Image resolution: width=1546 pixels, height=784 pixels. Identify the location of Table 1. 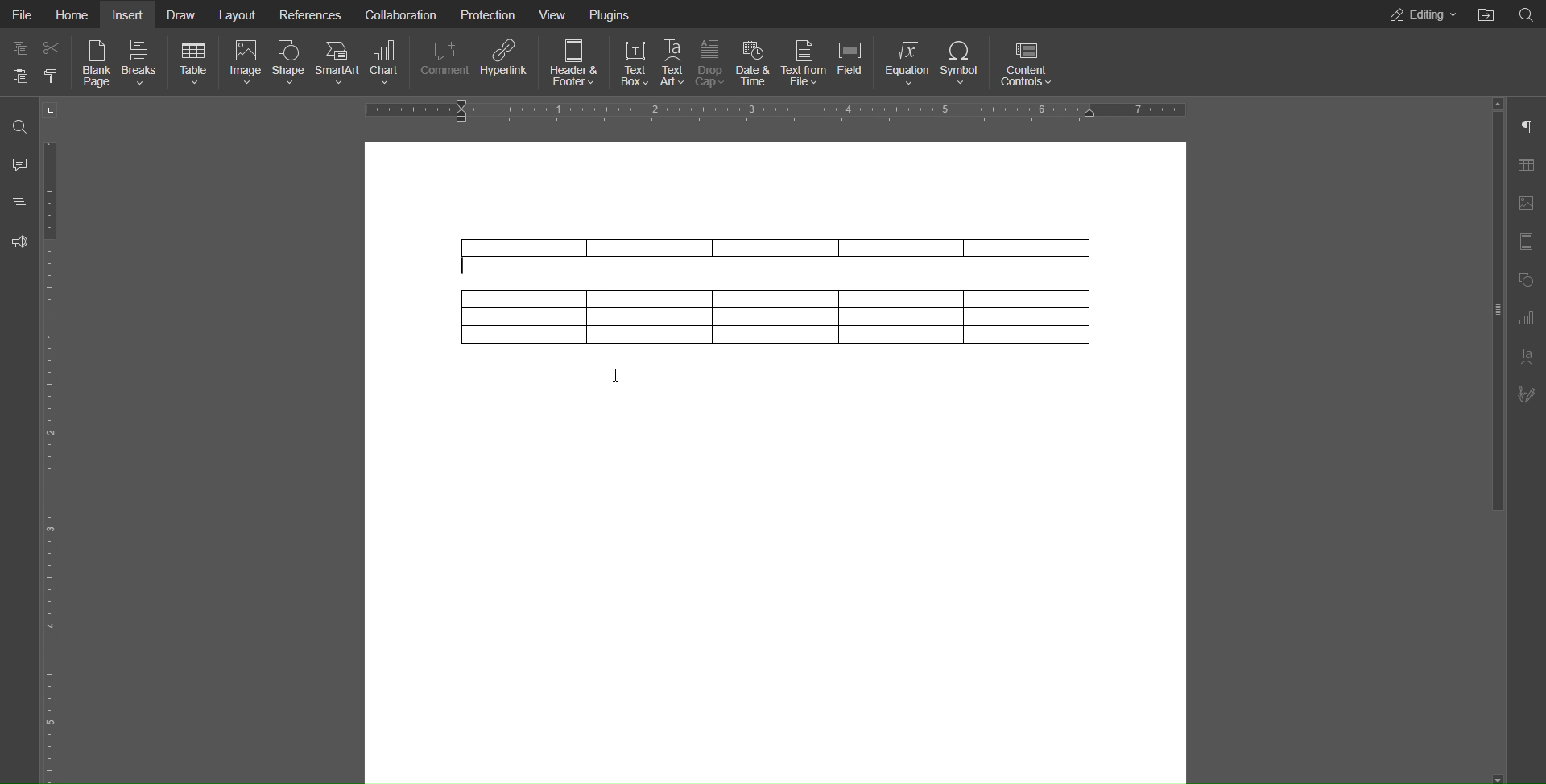
(771, 250).